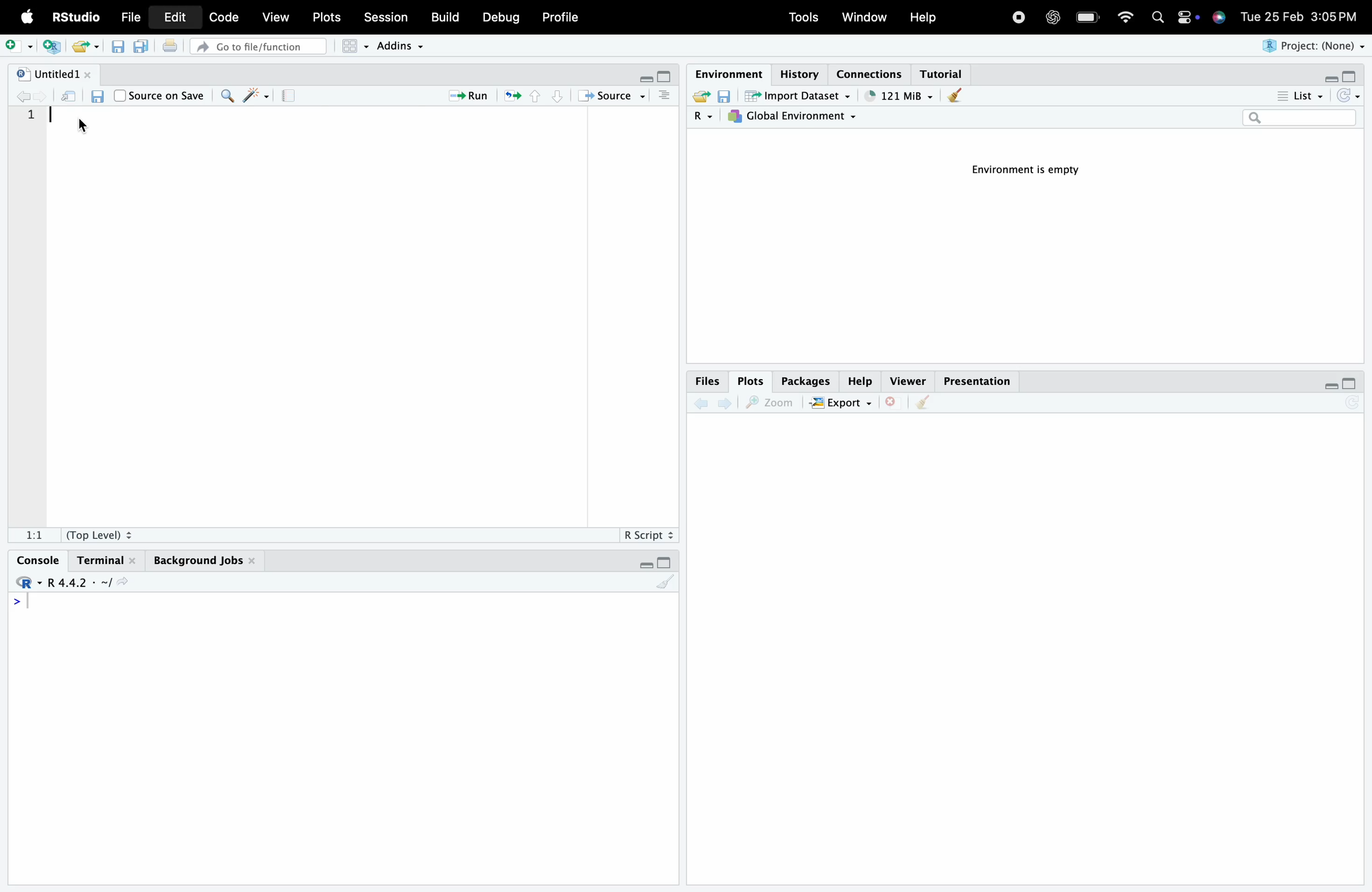 The width and height of the screenshot is (1372, 892). Describe the element at coordinates (98, 97) in the screenshot. I see `Save current document (Ctrl + S)` at that location.